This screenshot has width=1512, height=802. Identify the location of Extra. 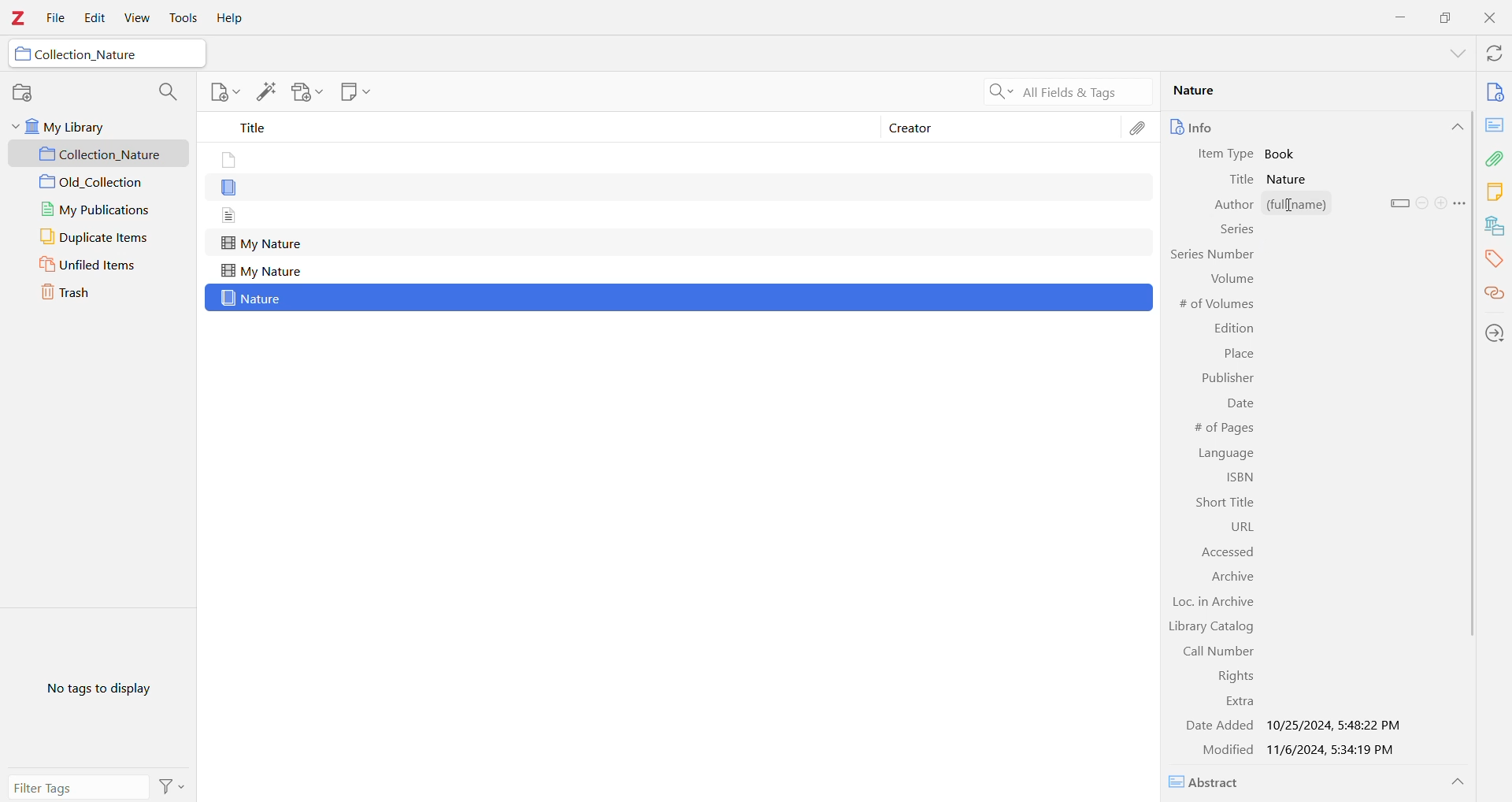
(1238, 702).